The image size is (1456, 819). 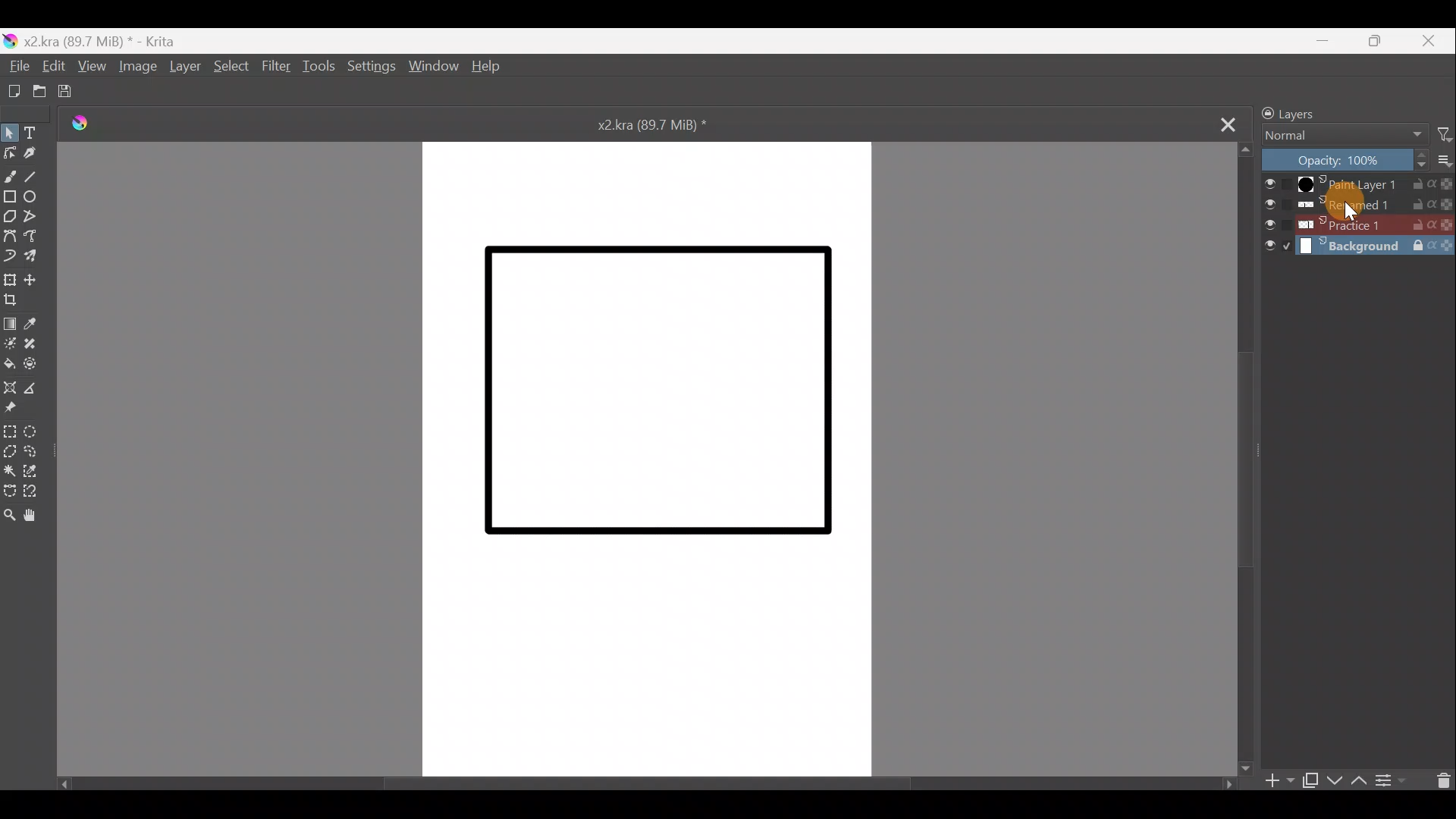 I want to click on Layer, so click(x=184, y=67).